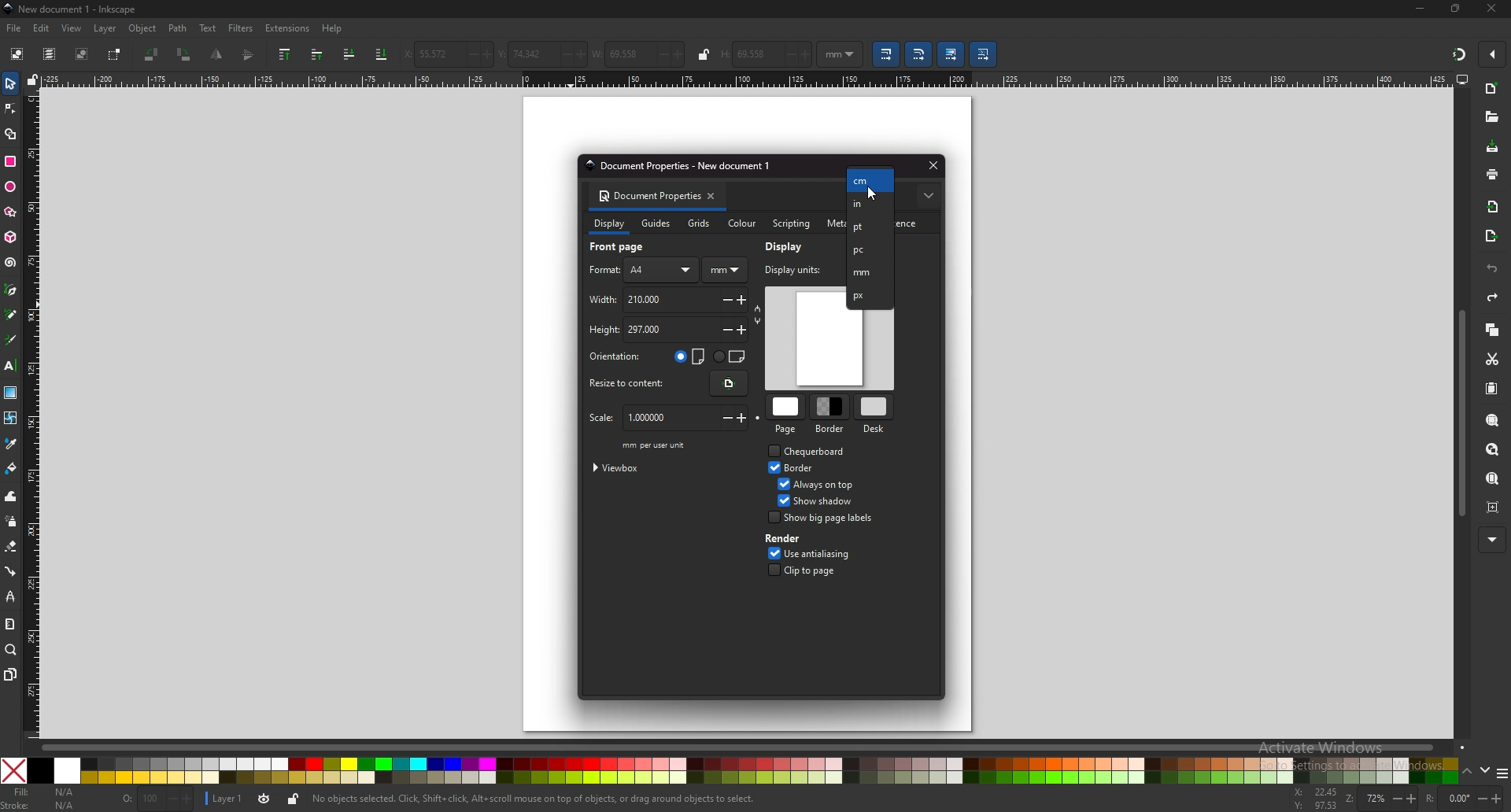  Describe the element at coordinates (1446, 799) in the screenshot. I see `rotation` at that location.